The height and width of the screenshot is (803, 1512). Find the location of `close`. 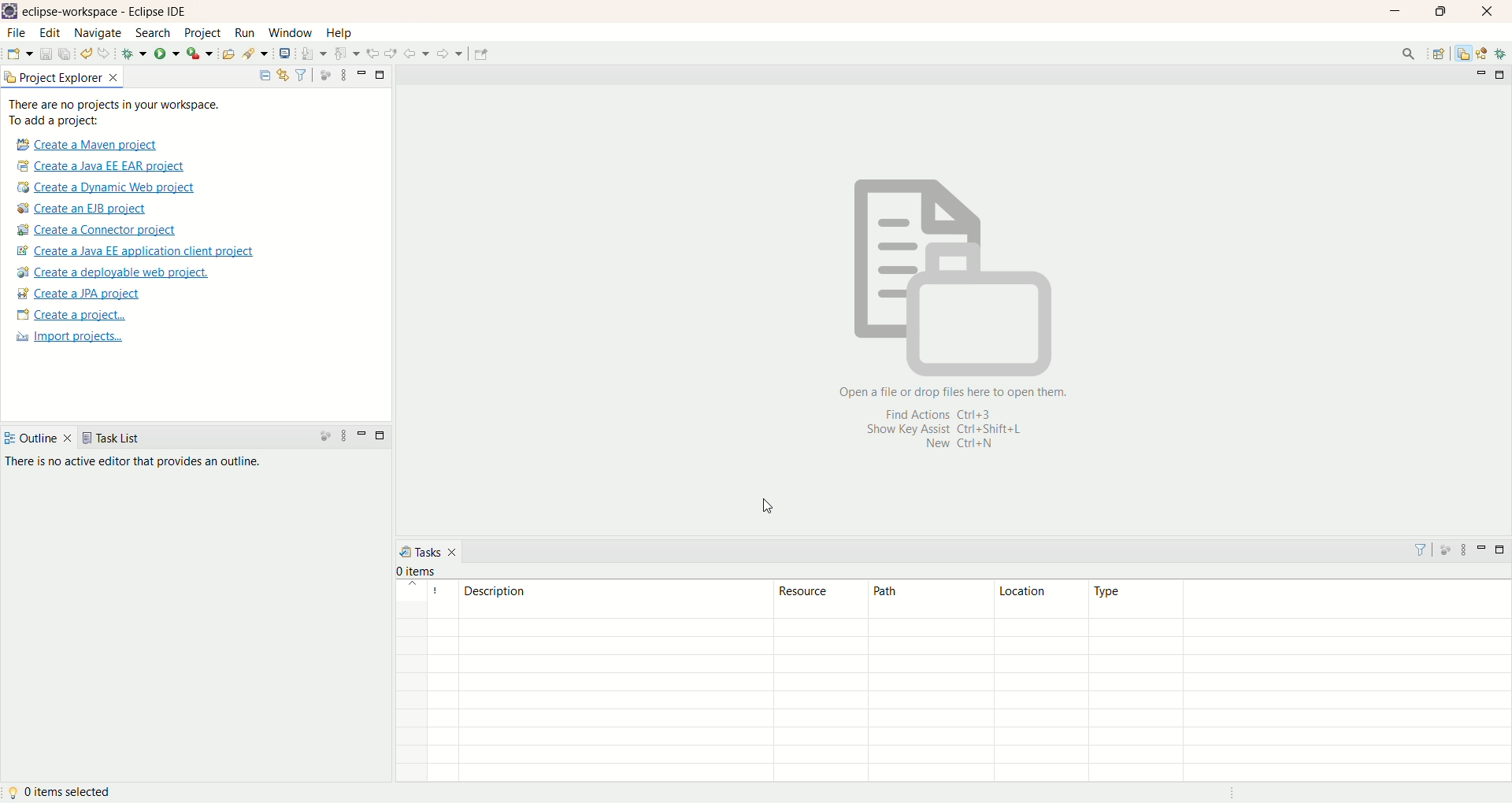

close is located at coordinates (1487, 11).